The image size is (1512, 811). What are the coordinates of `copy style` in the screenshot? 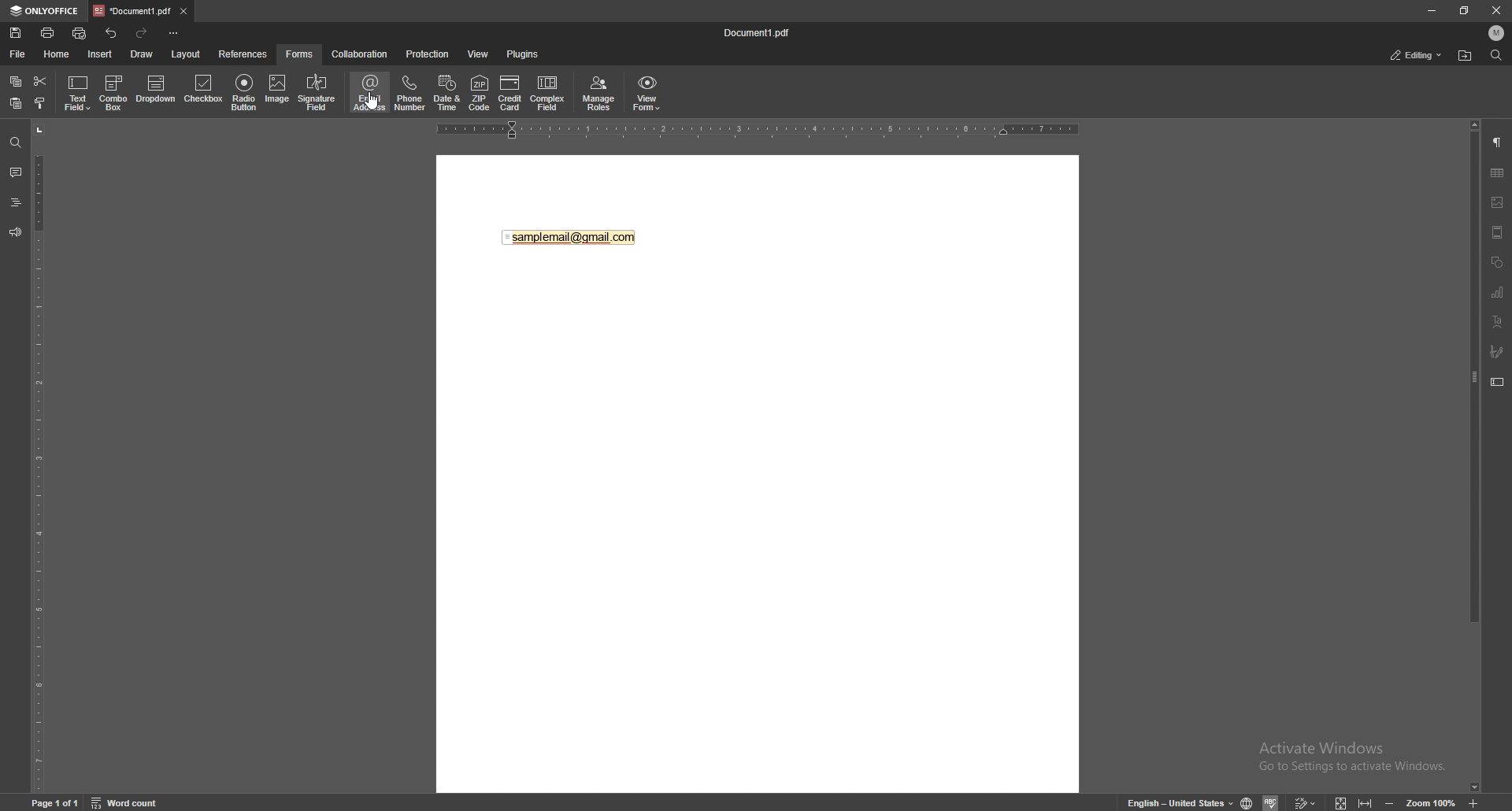 It's located at (39, 104).